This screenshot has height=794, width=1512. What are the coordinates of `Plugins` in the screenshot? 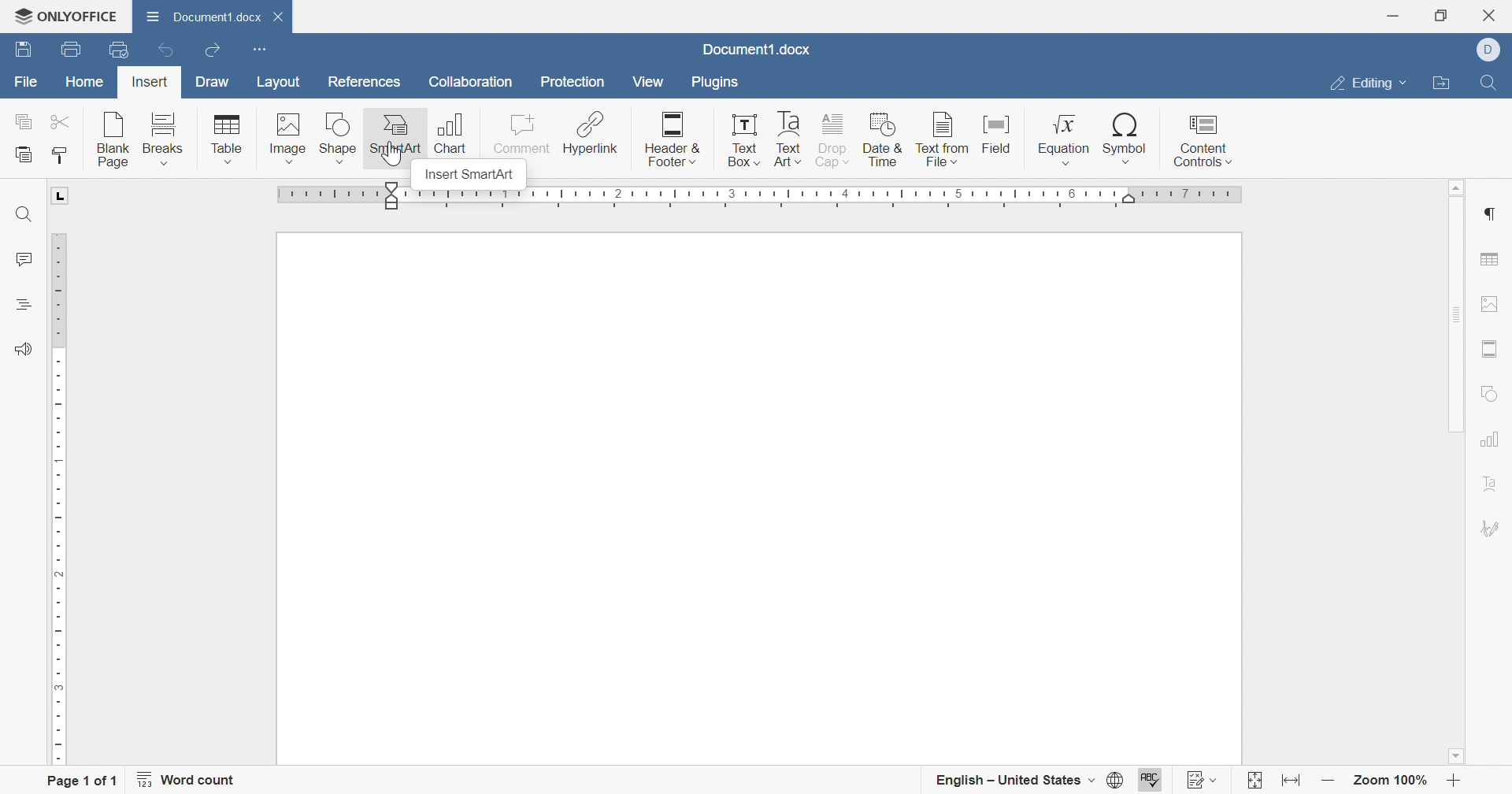 It's located at (717, 84).